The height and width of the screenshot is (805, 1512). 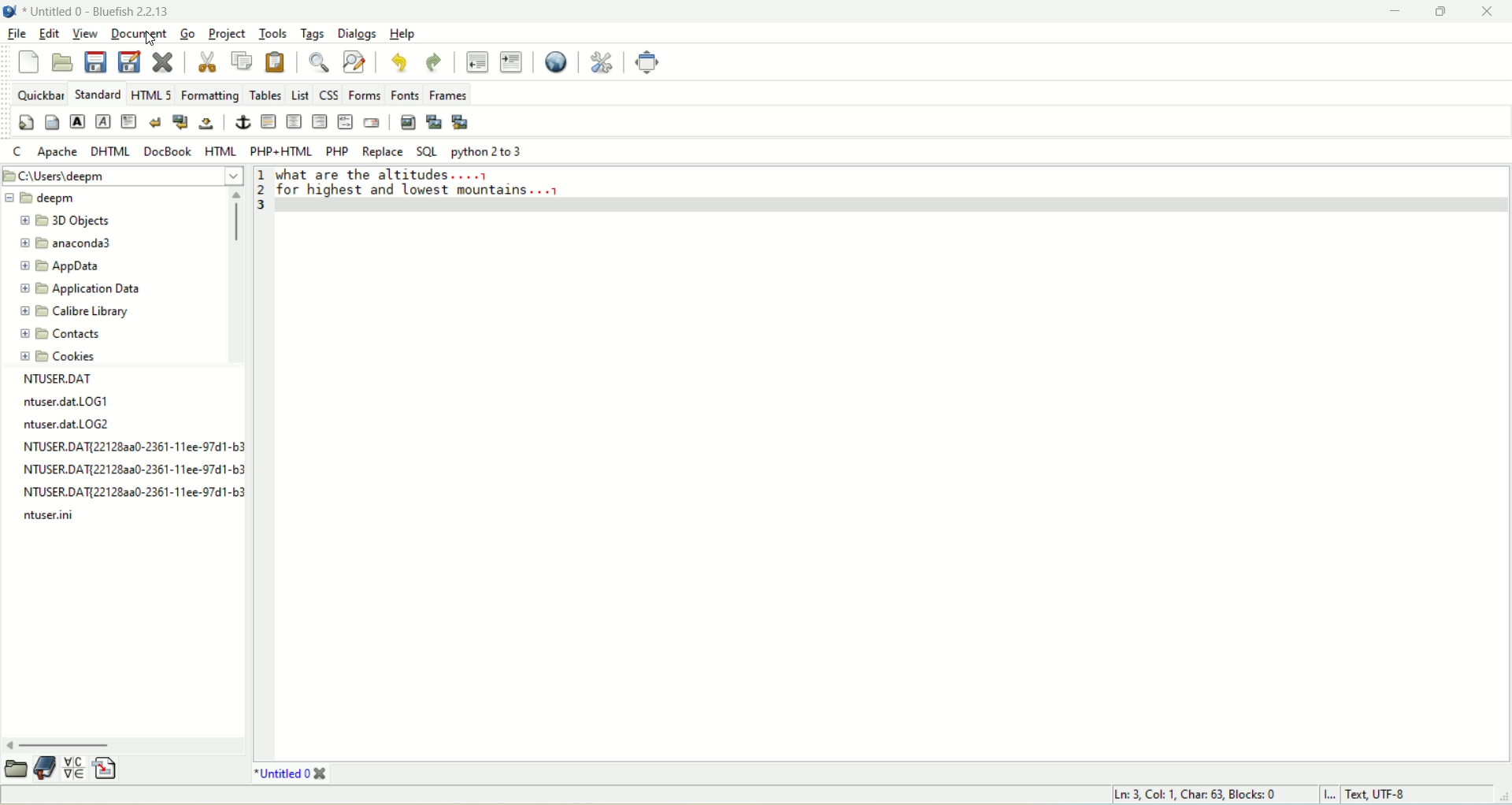 I want to click on calibre Library, so click(x=71, y=313).